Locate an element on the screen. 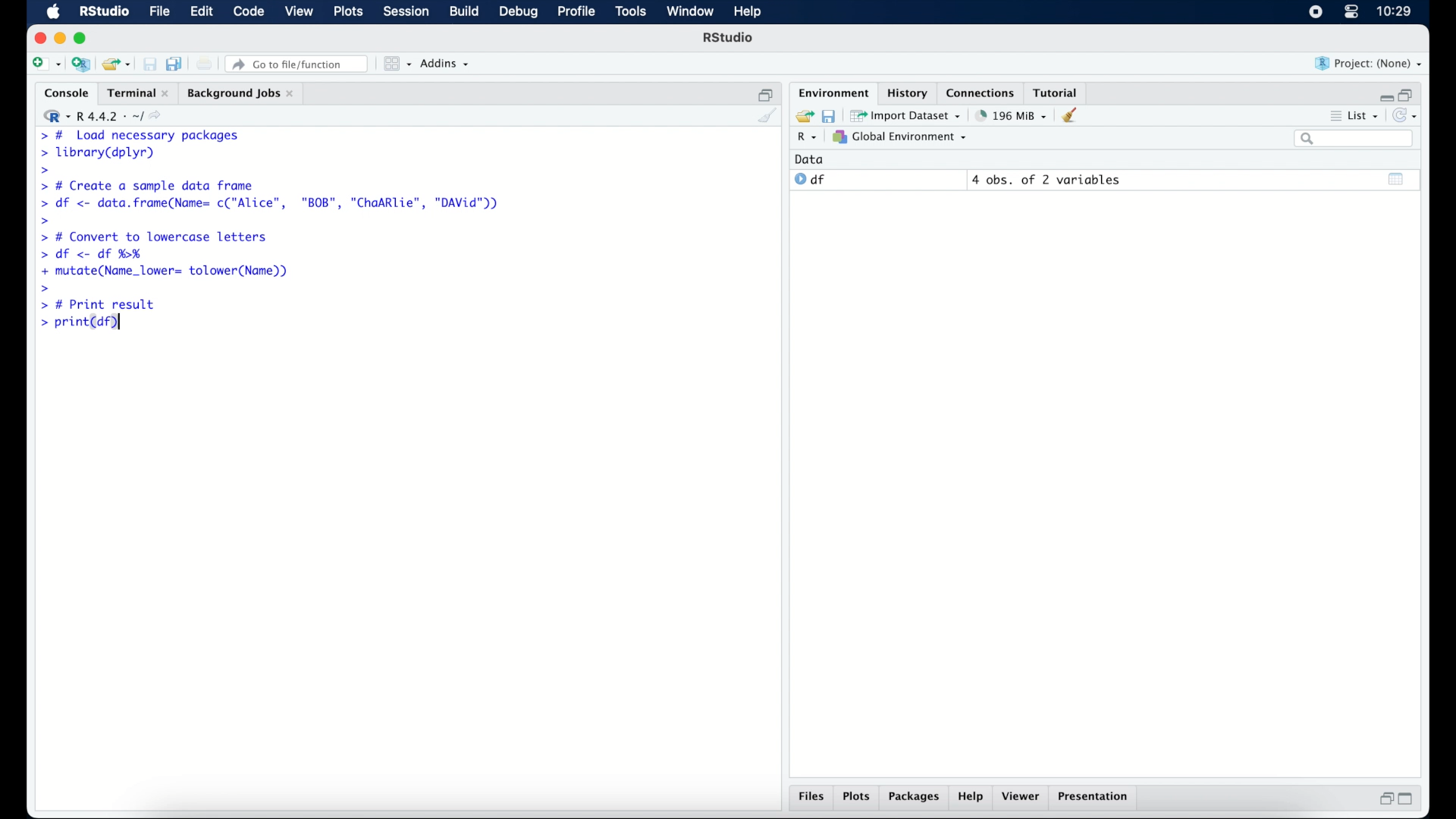 The width and height of the screenshot is (1456, 819). date is located at coordinates (810, 158).